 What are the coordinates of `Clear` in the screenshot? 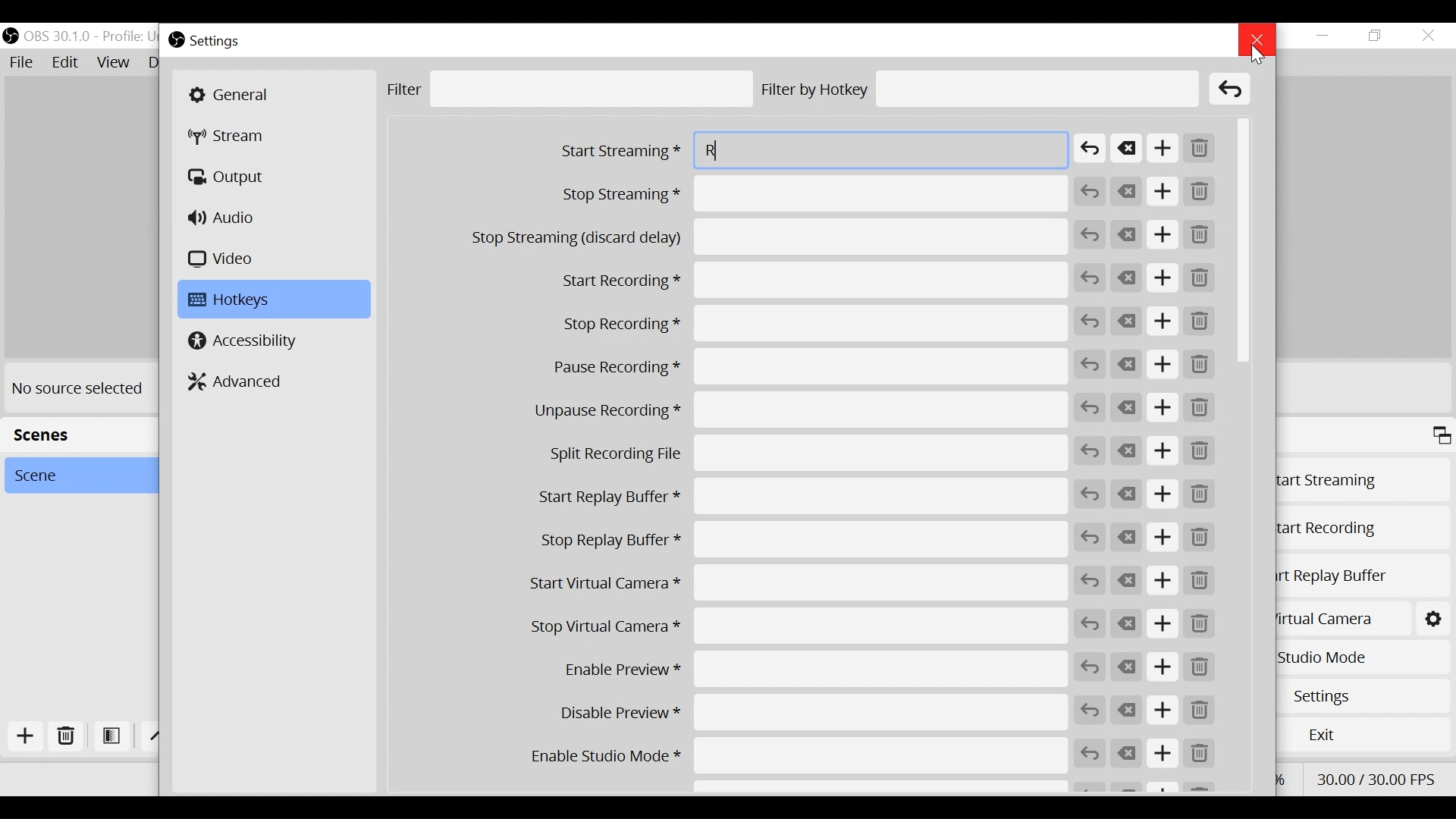 It's located at (1129, 711).